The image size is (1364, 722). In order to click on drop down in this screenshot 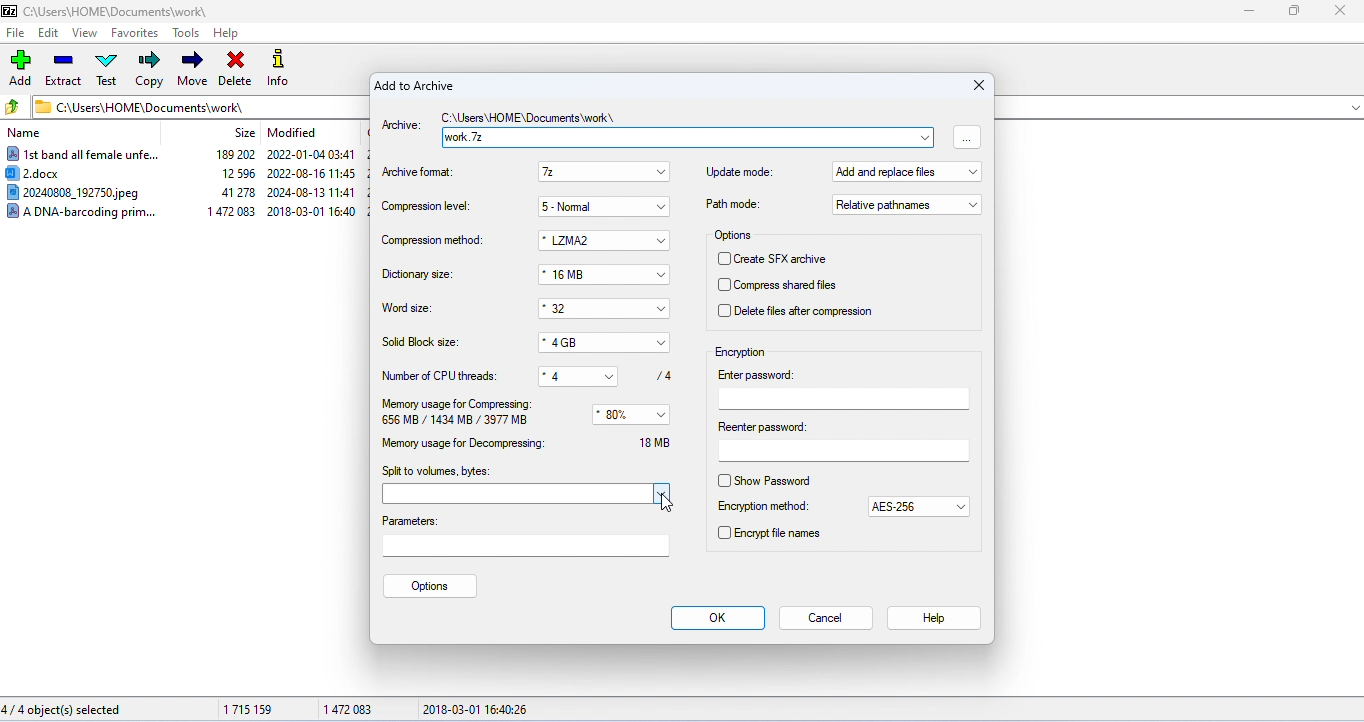, I will do `click(616, 374)`.